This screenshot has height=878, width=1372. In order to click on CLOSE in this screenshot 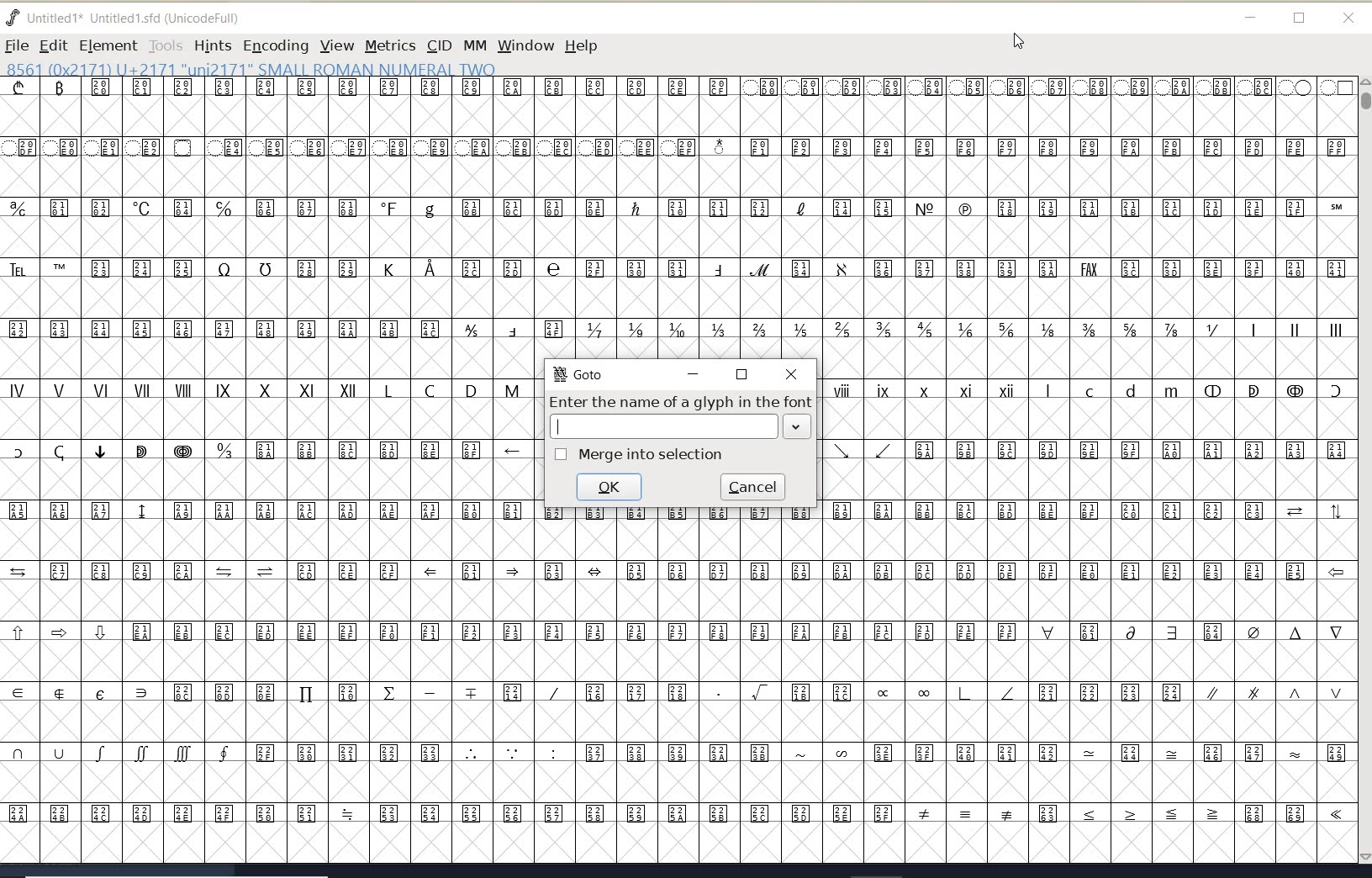, I will do `click(794, 374)`.